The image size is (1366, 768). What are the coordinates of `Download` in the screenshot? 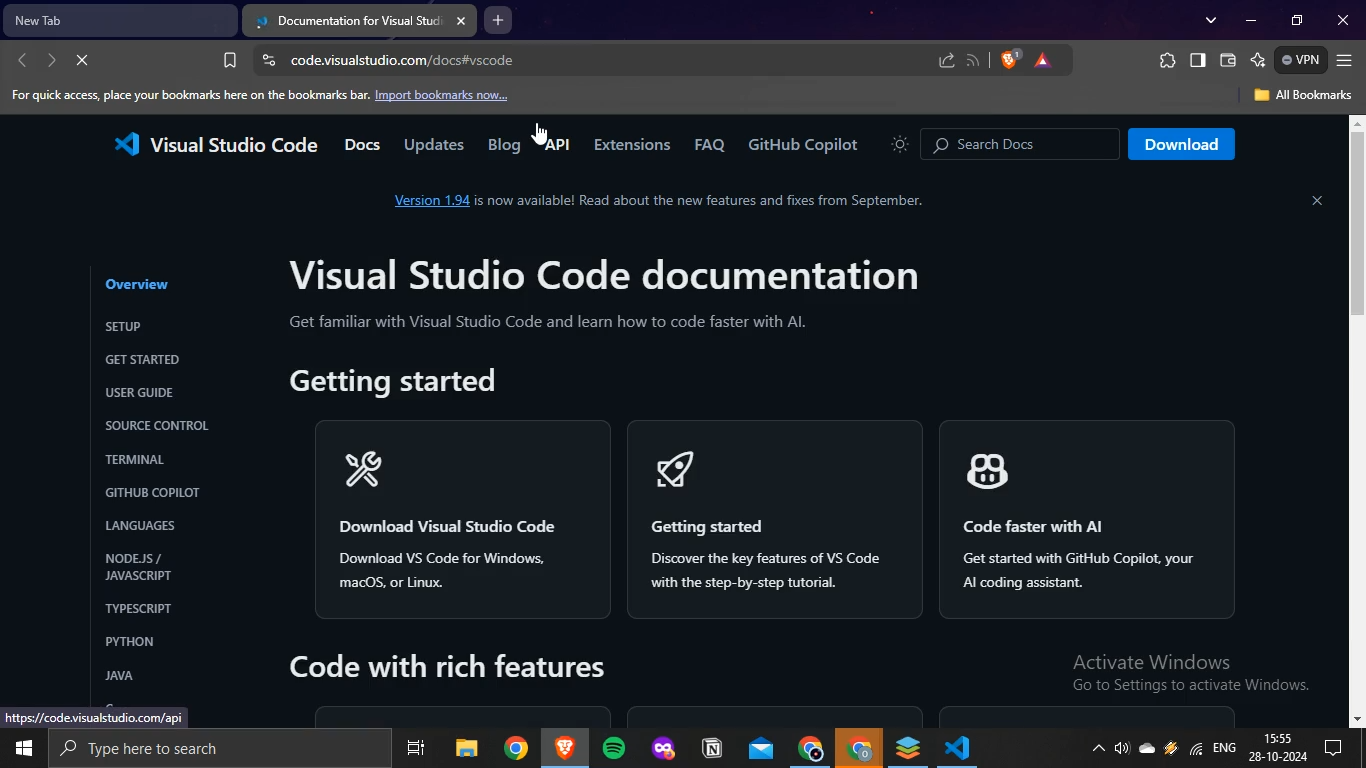 It's located at (1182, 144).